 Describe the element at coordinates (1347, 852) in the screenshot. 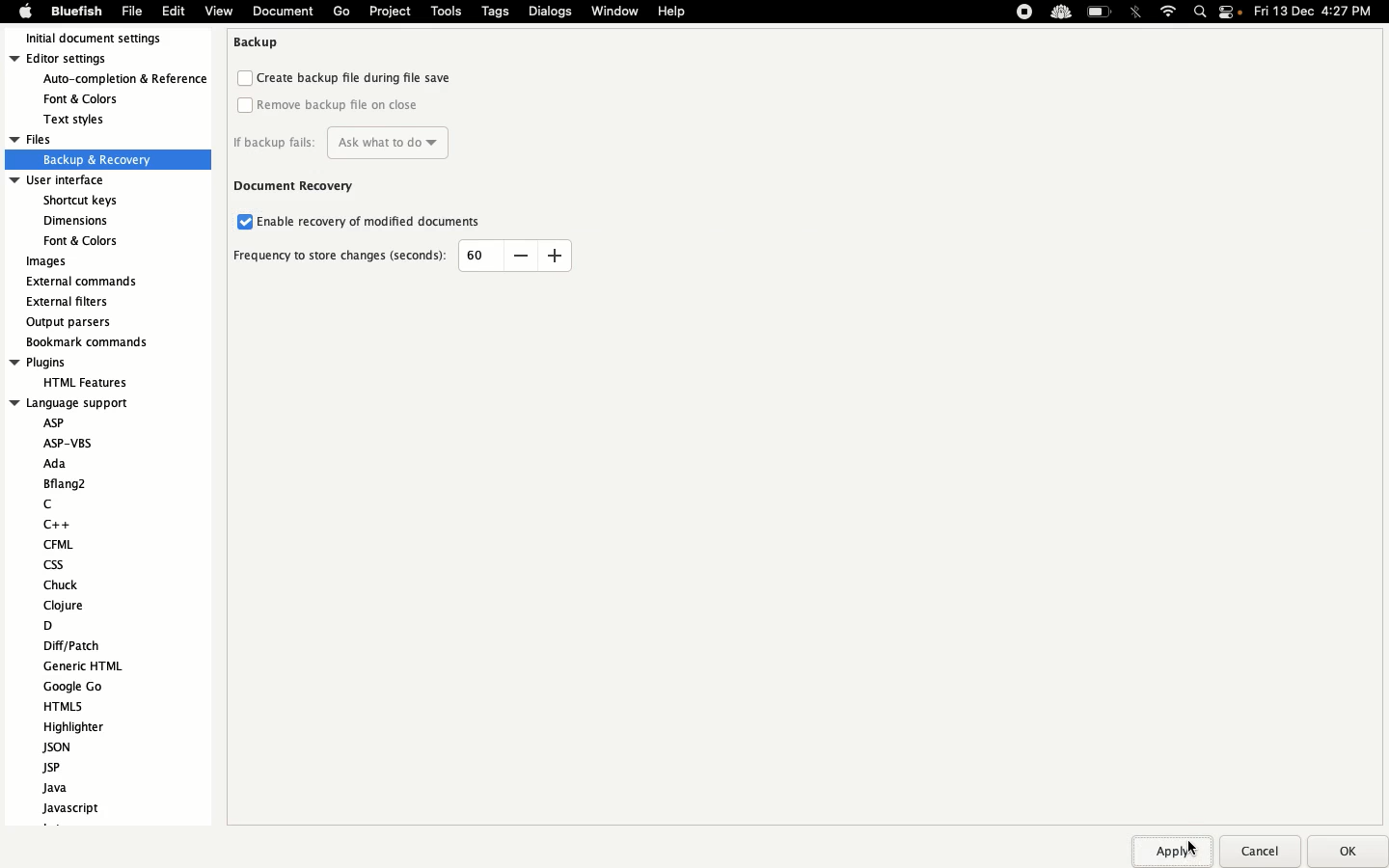

I see `Ok` at that location.